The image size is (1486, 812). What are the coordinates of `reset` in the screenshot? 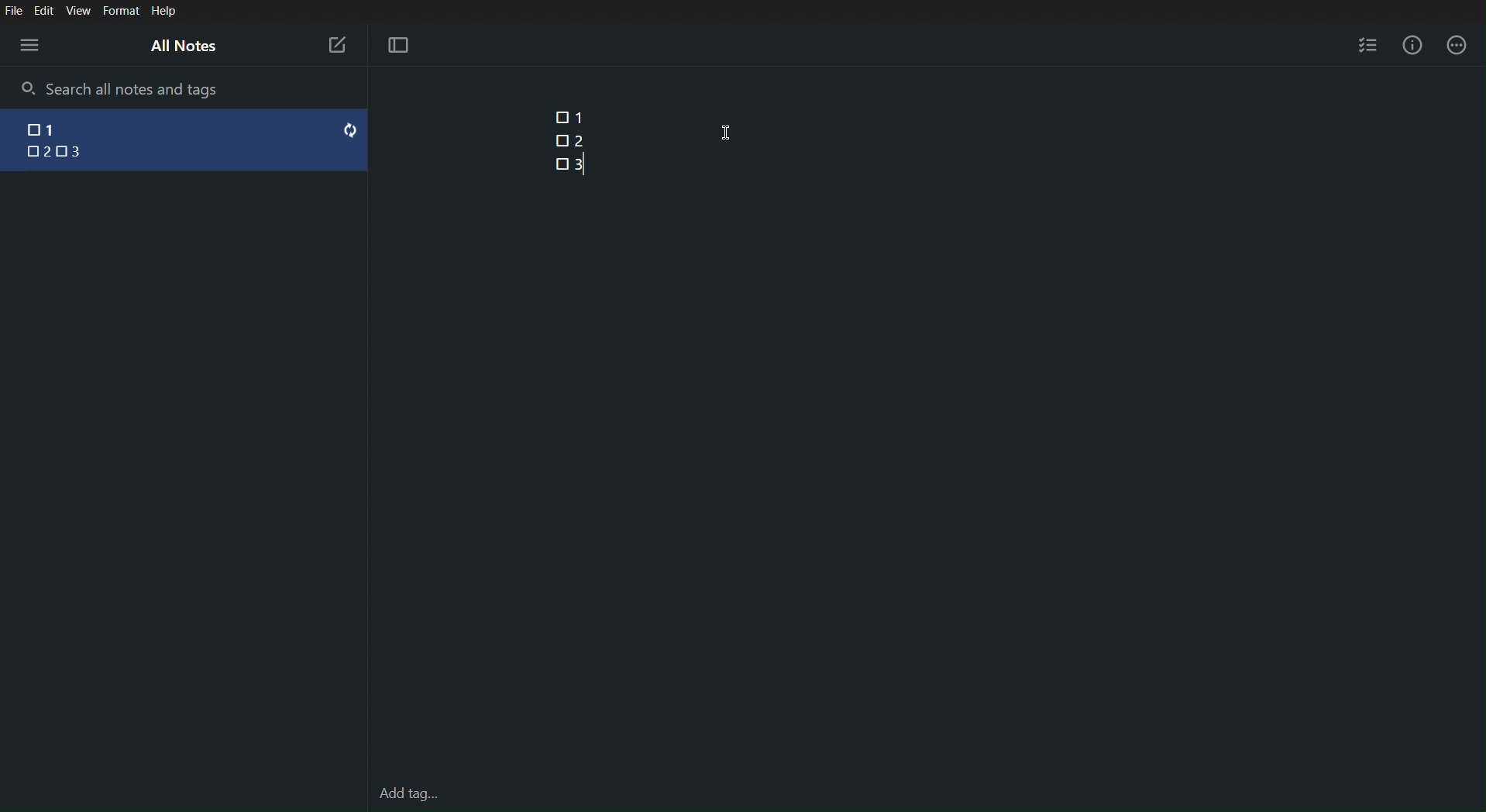 It's located at (350, 129).